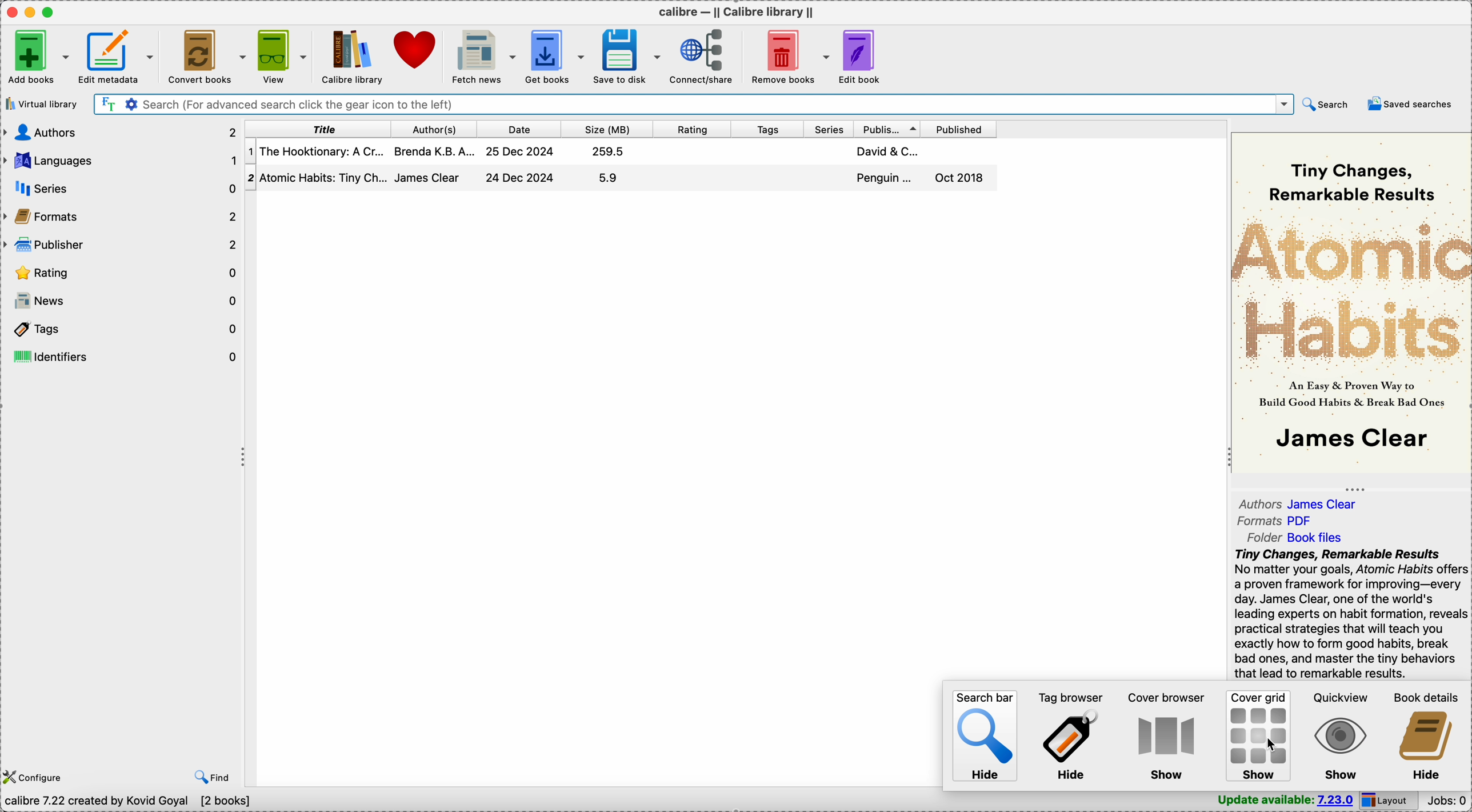  Describe the element at coordinates (325, 177) in the screenshot. I see `atomic habits: tiny ch...` at that location.